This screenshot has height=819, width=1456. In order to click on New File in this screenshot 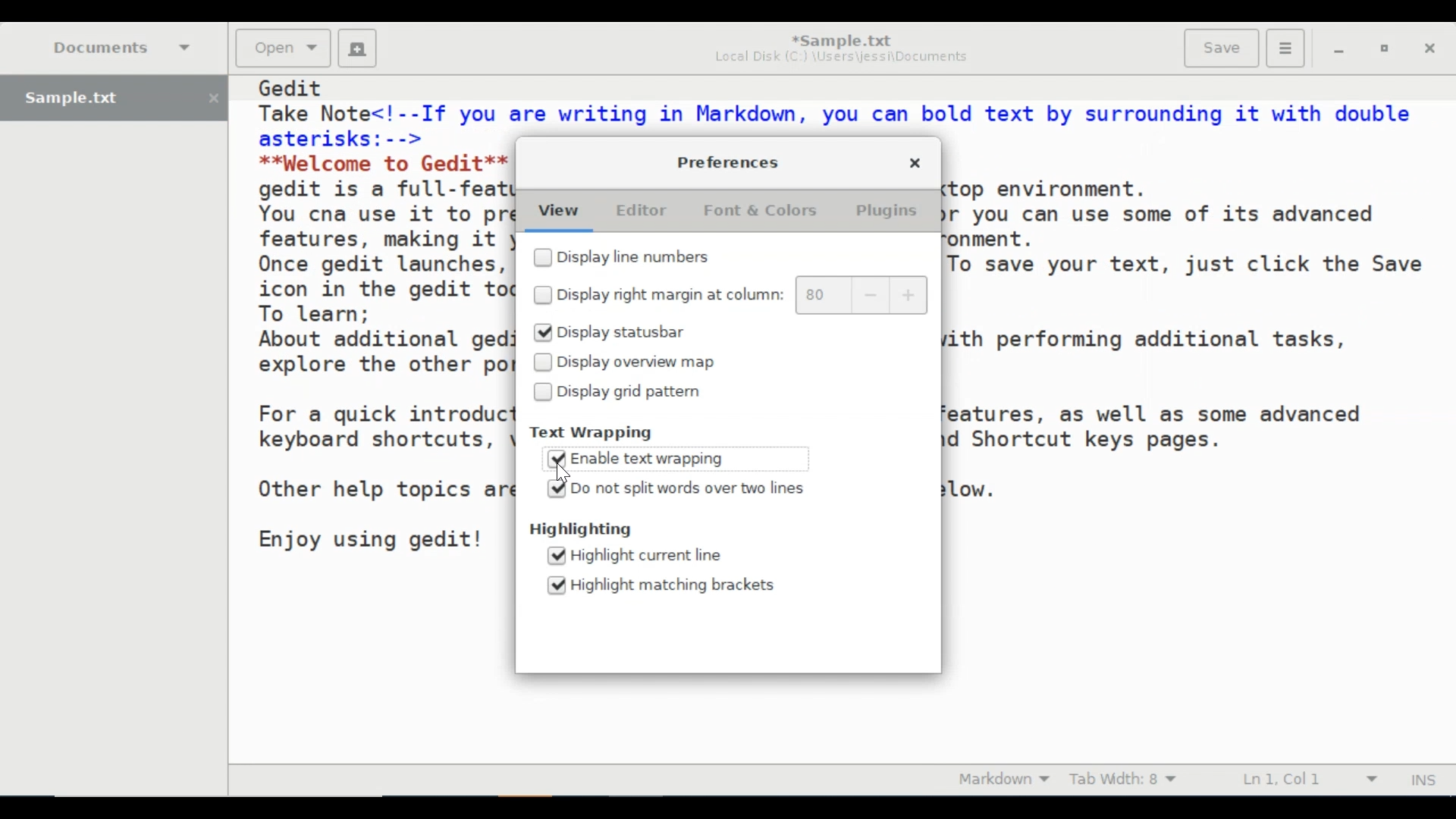, I will do `click(354, 49)`.